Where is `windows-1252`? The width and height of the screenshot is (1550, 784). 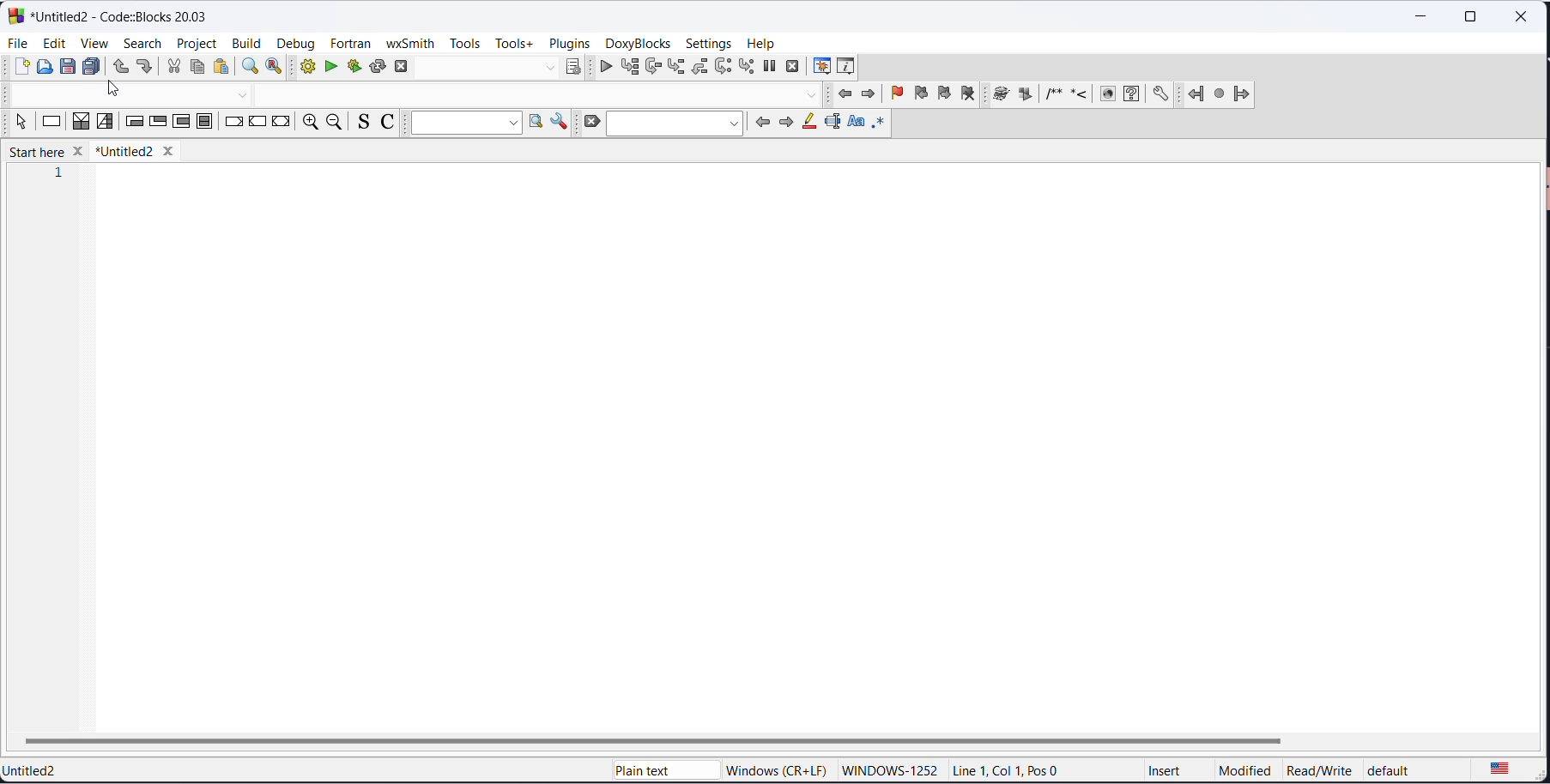
windows-1252 is located at coordinates (890, 768).